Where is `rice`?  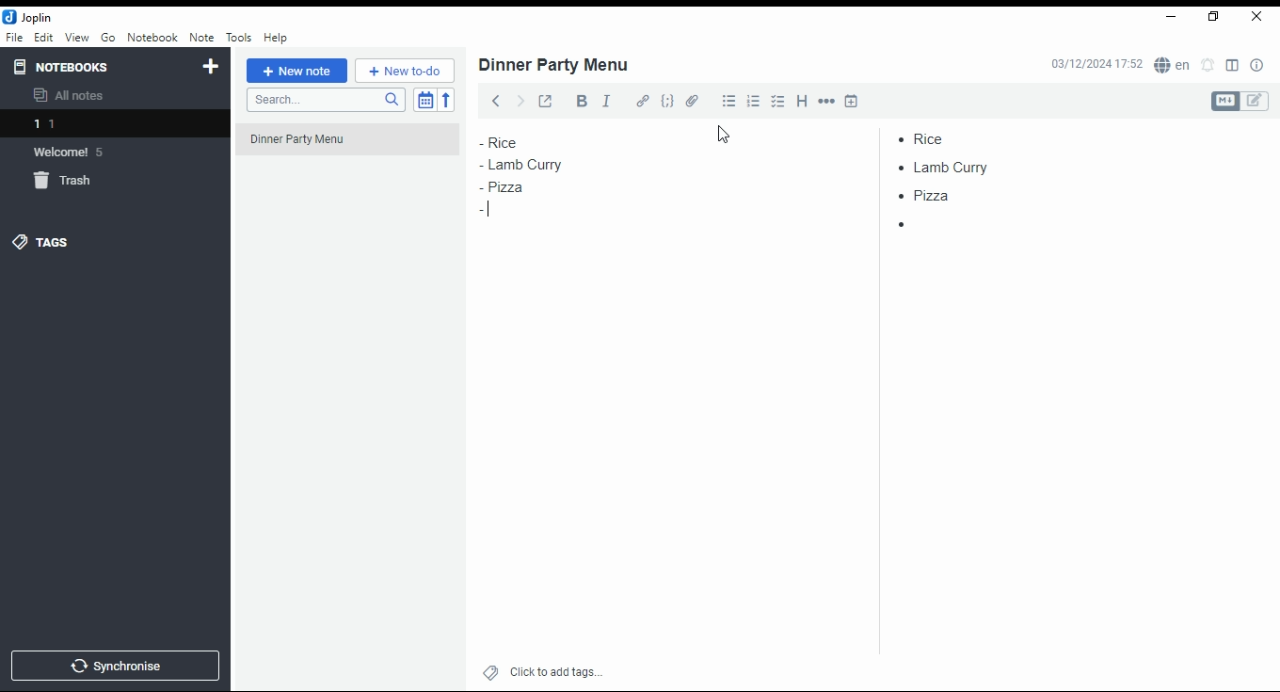
rice is located at coordinates (512, 142).